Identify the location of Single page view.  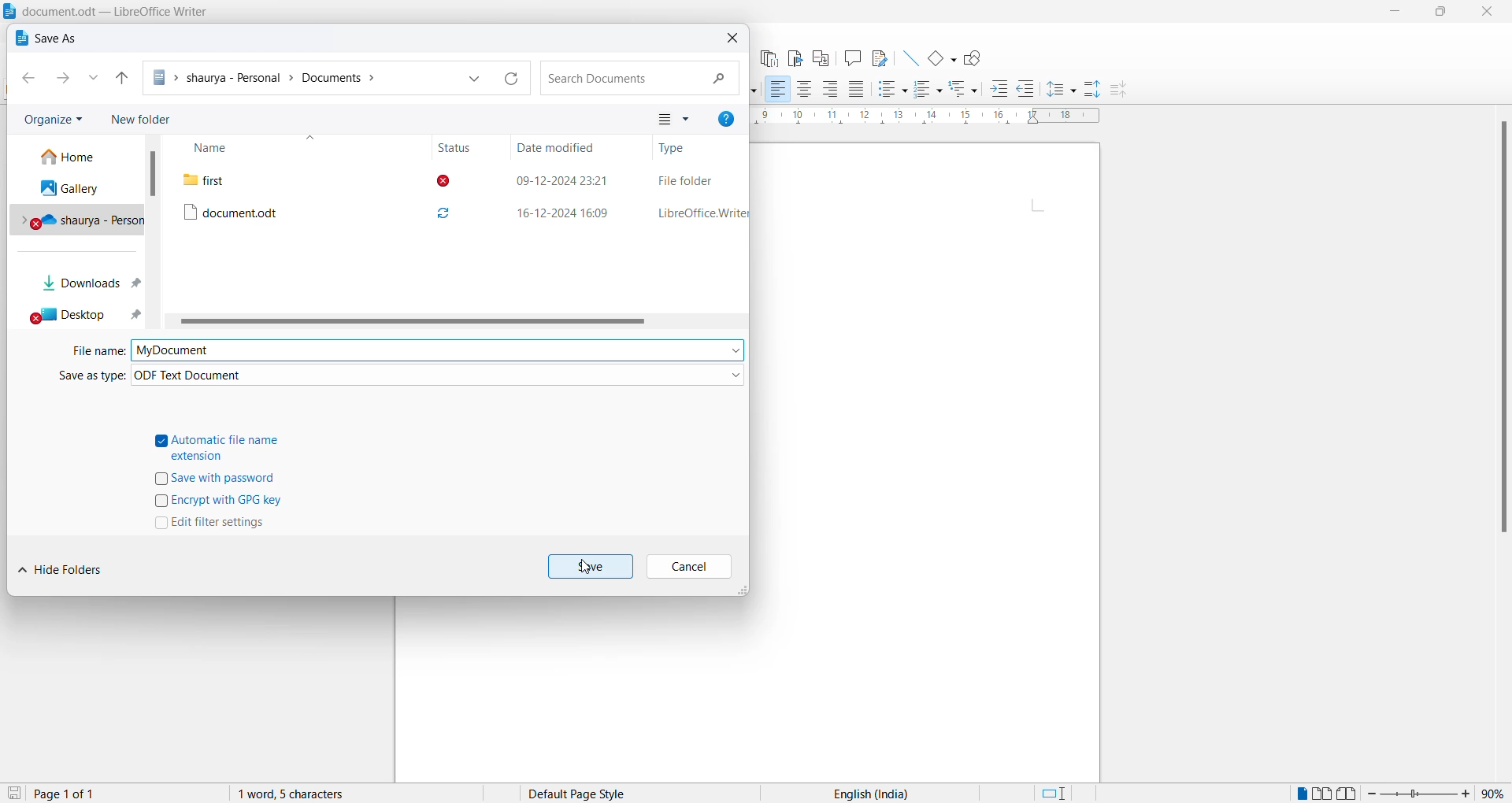
(1300, 794).